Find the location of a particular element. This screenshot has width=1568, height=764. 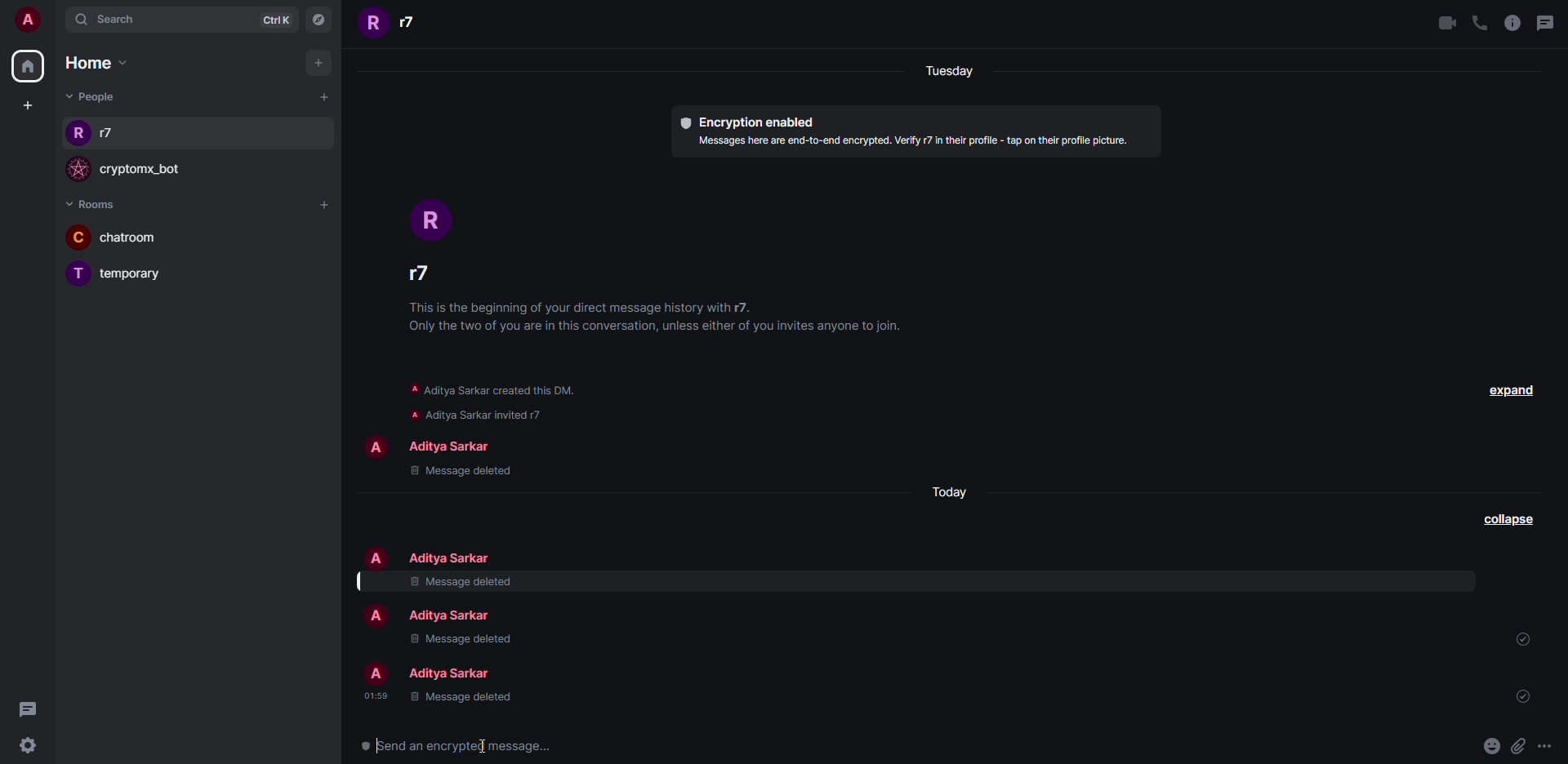

text cursor is located at coordinates (485, 744).